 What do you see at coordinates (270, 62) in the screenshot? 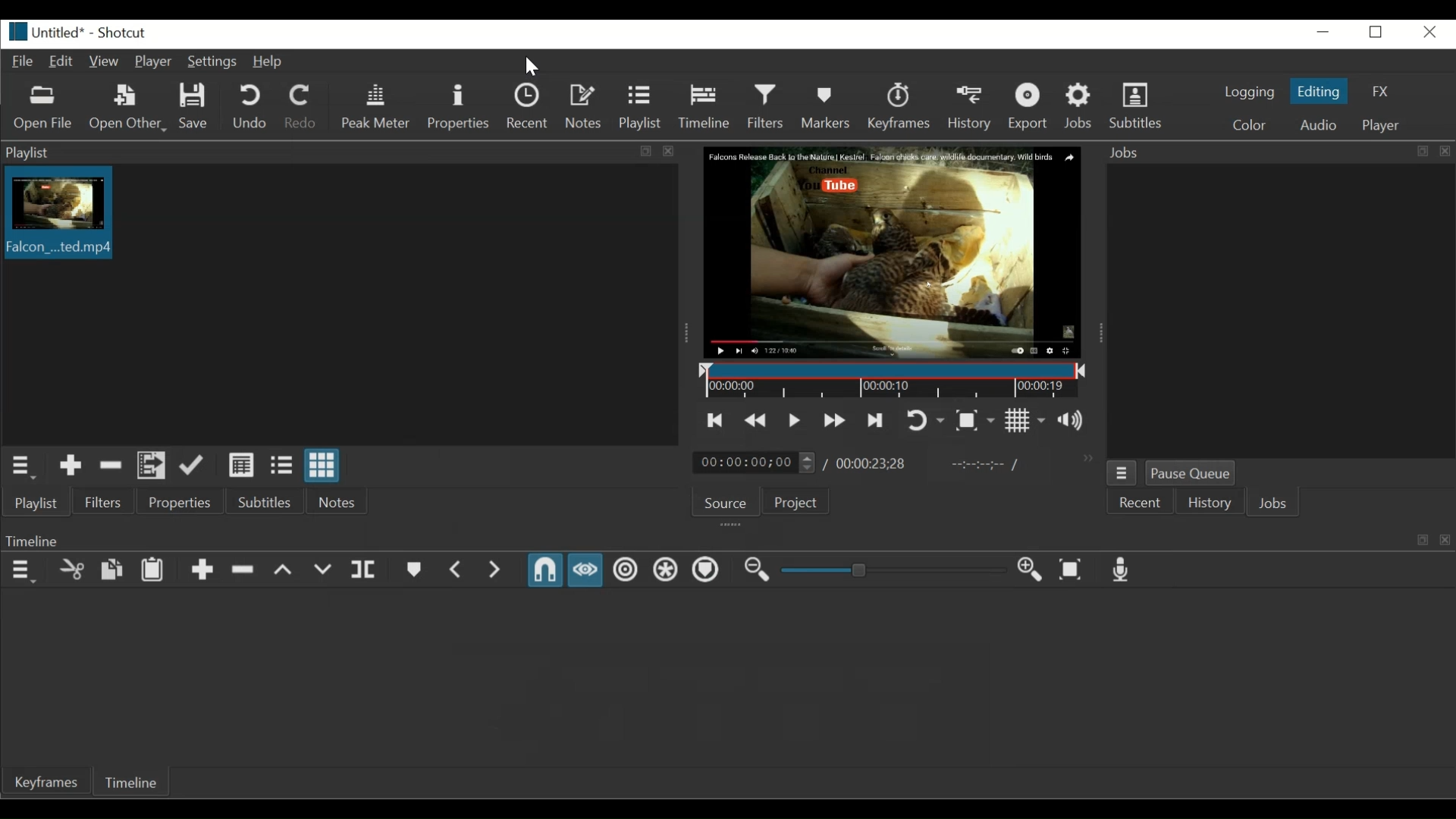
I see `Help` at bounding box center [270, 62].